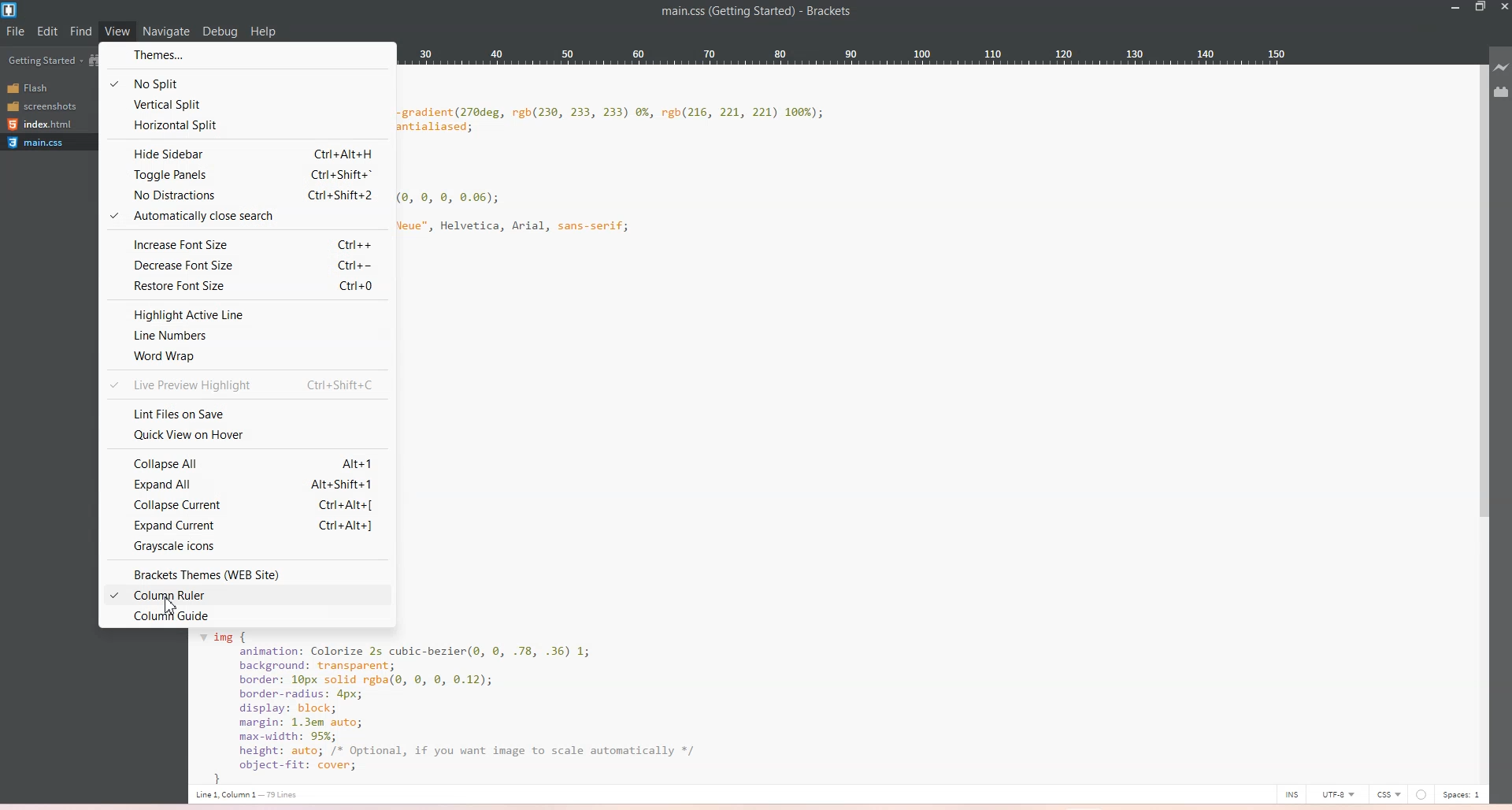  What do you see at coordinates (48, 32) in the screenshot?
I see `Edit` at bounding box center [48, 32].